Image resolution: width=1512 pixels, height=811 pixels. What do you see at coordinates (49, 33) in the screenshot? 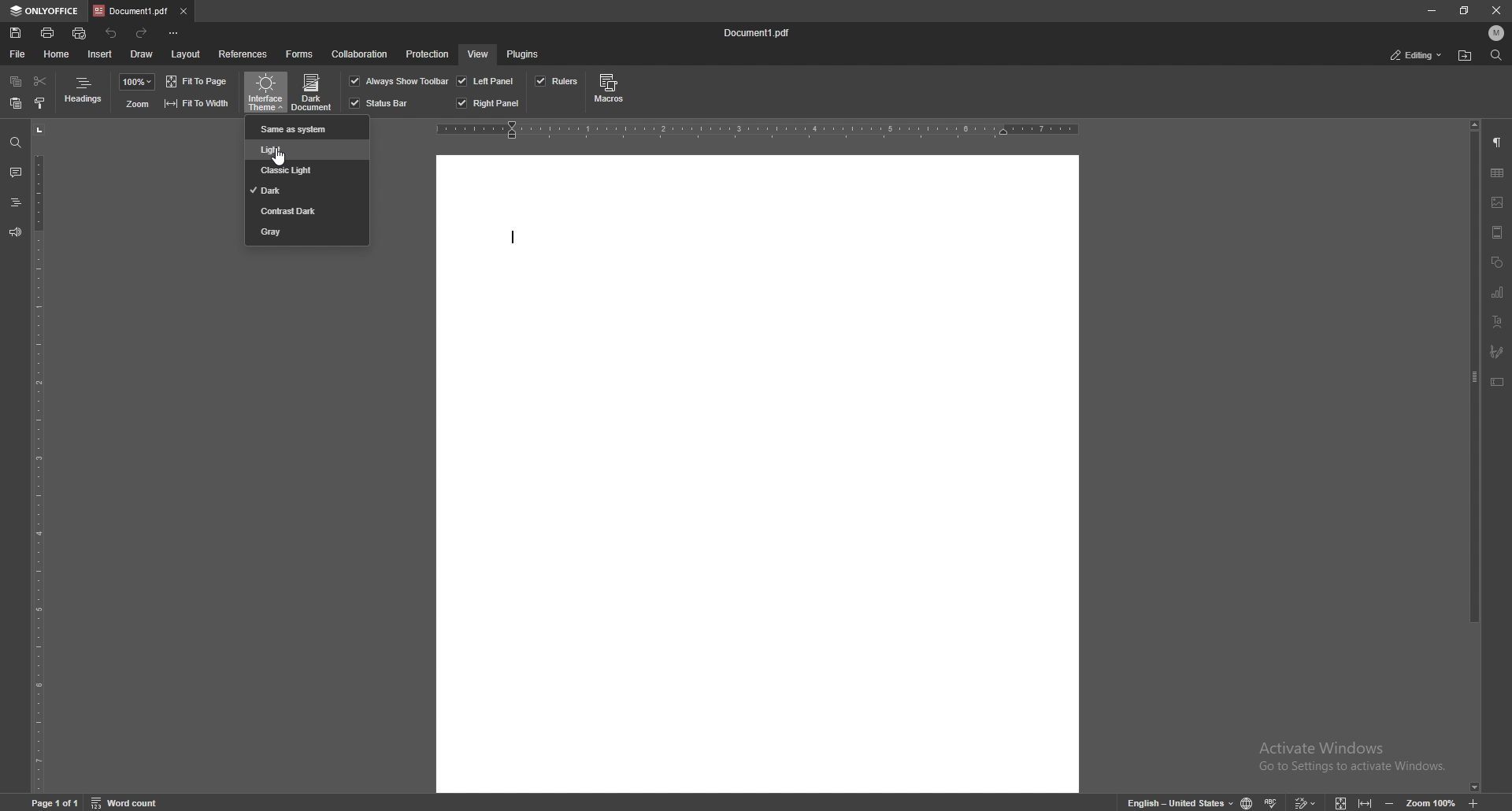
I see `print` at bounding box center [49, 33].